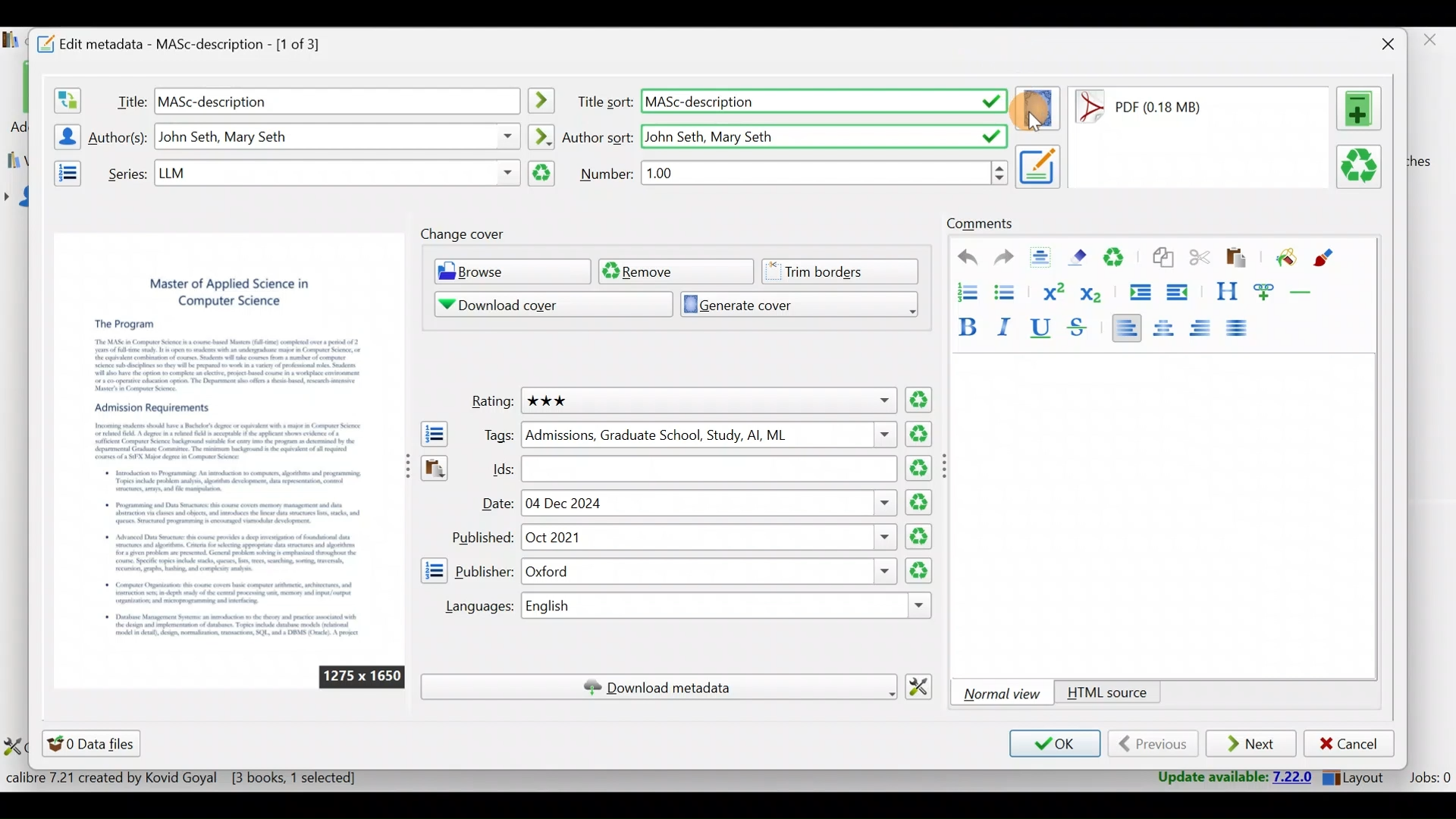  I want to click on Clear all tags, so click(921, 434).